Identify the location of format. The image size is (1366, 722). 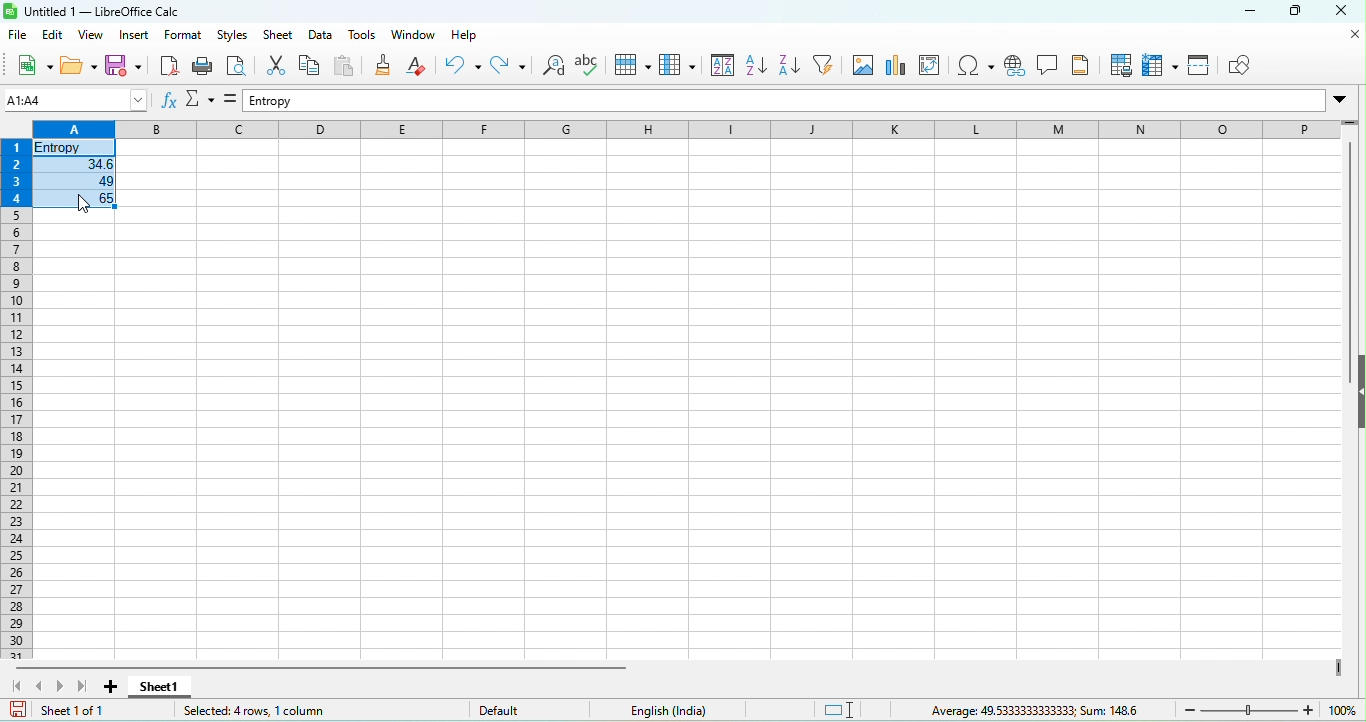
(181, 37).